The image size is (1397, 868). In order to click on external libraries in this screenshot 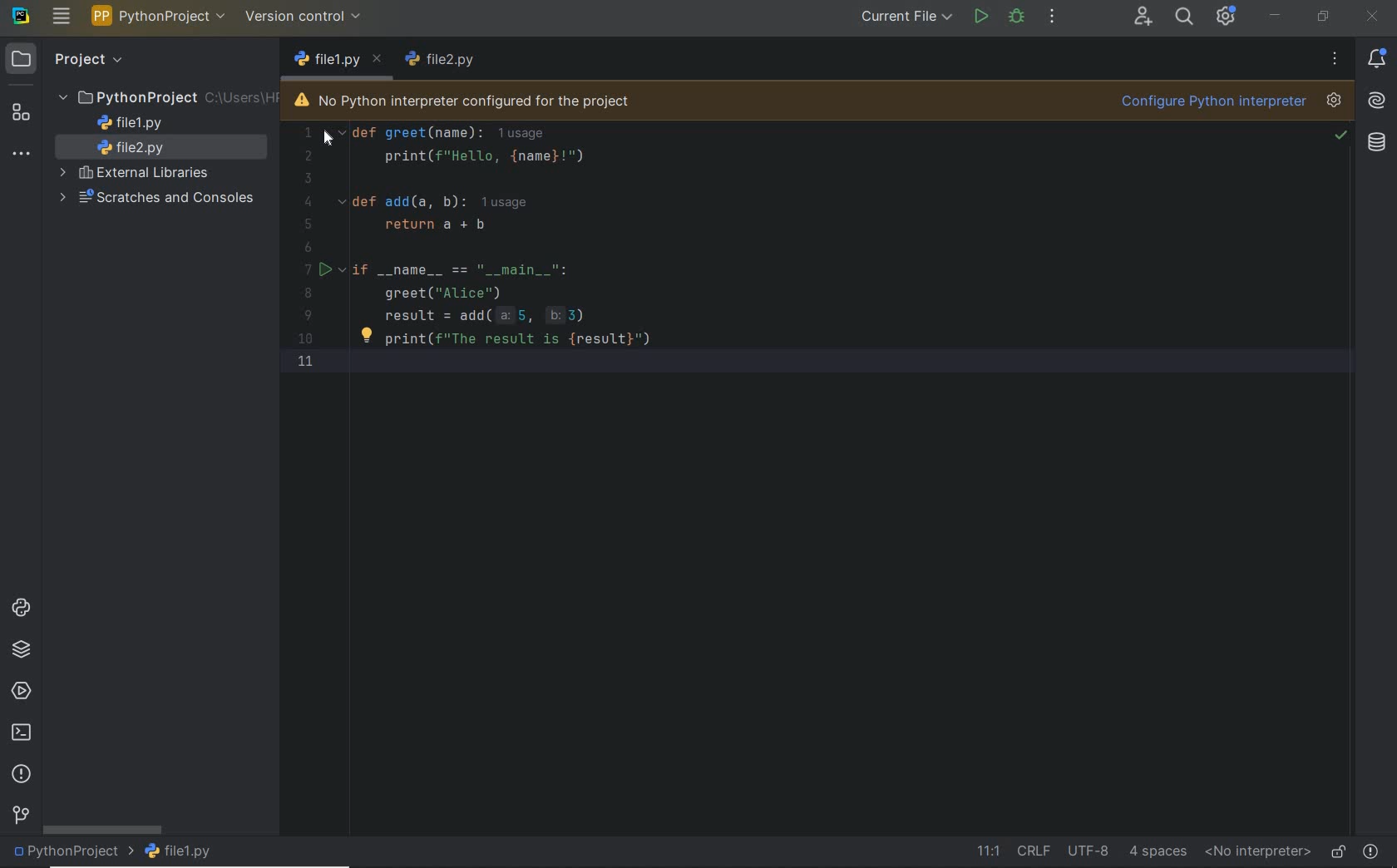, I will do `click(137, 174)`.